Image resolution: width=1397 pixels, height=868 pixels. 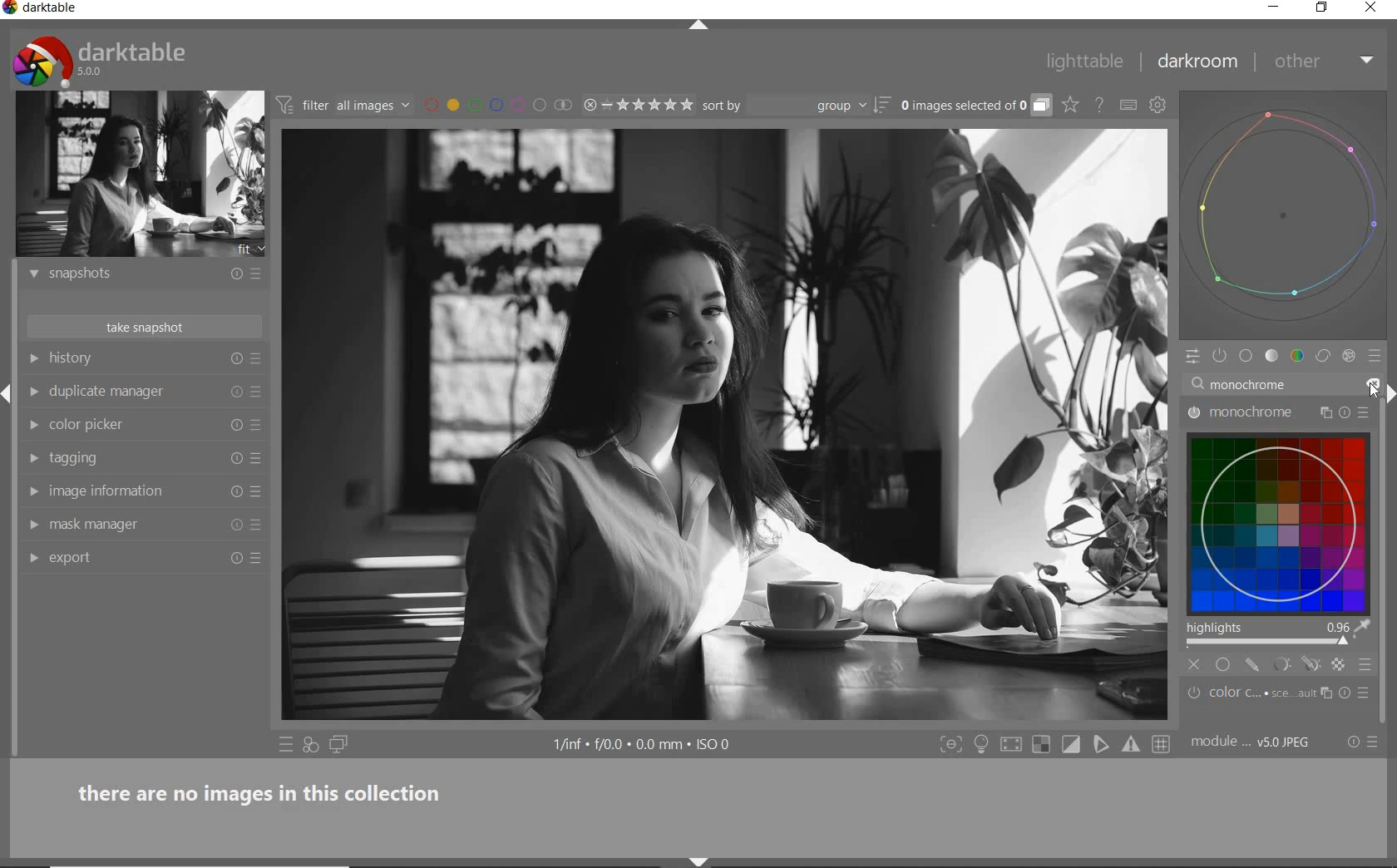 I want to click on show only active modules, so click(x=1221, y=357).